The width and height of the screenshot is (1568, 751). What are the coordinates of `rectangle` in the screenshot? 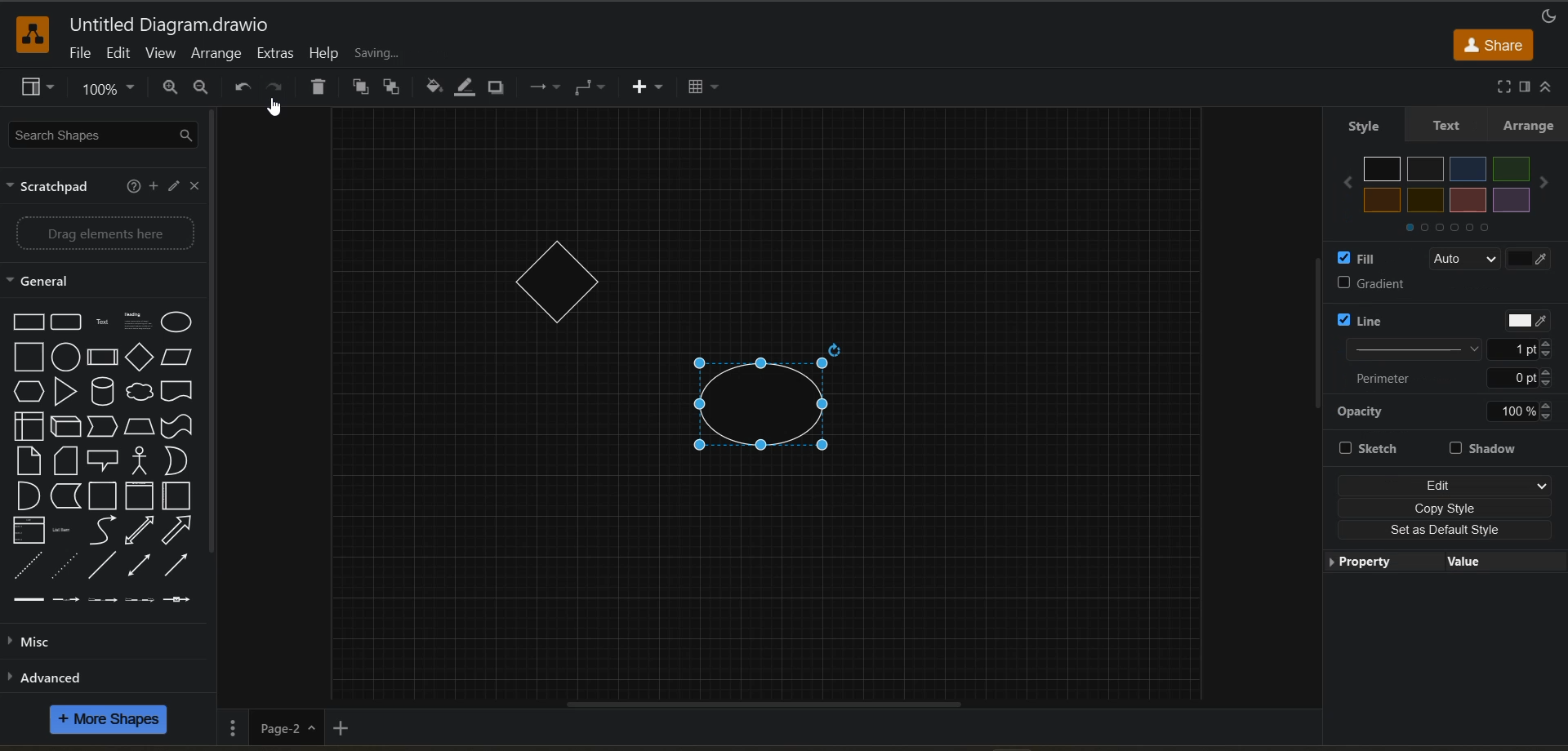 It's located at (28, 321).